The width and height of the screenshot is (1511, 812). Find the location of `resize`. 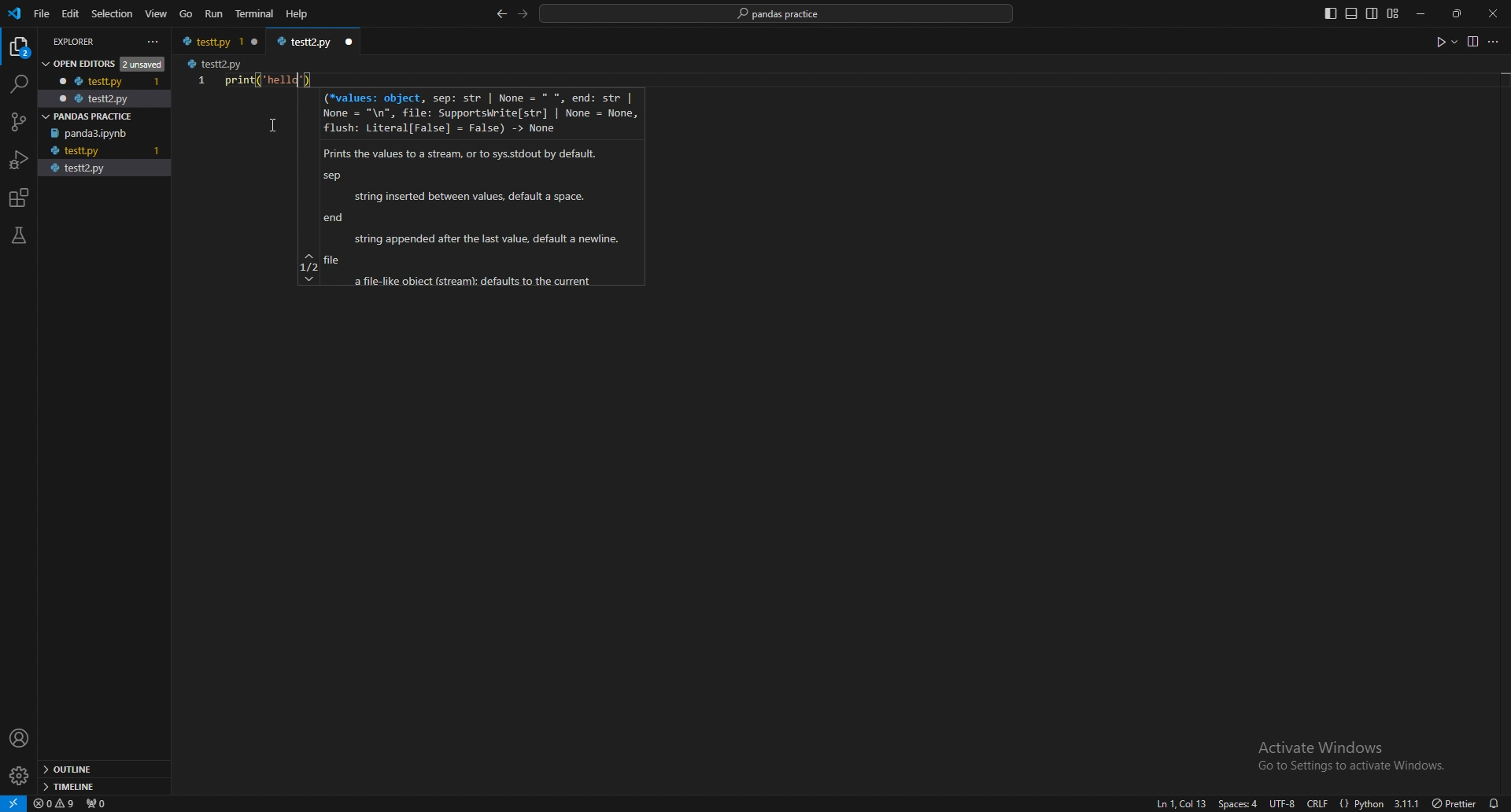

resize is located at coordinates (1459, 13).